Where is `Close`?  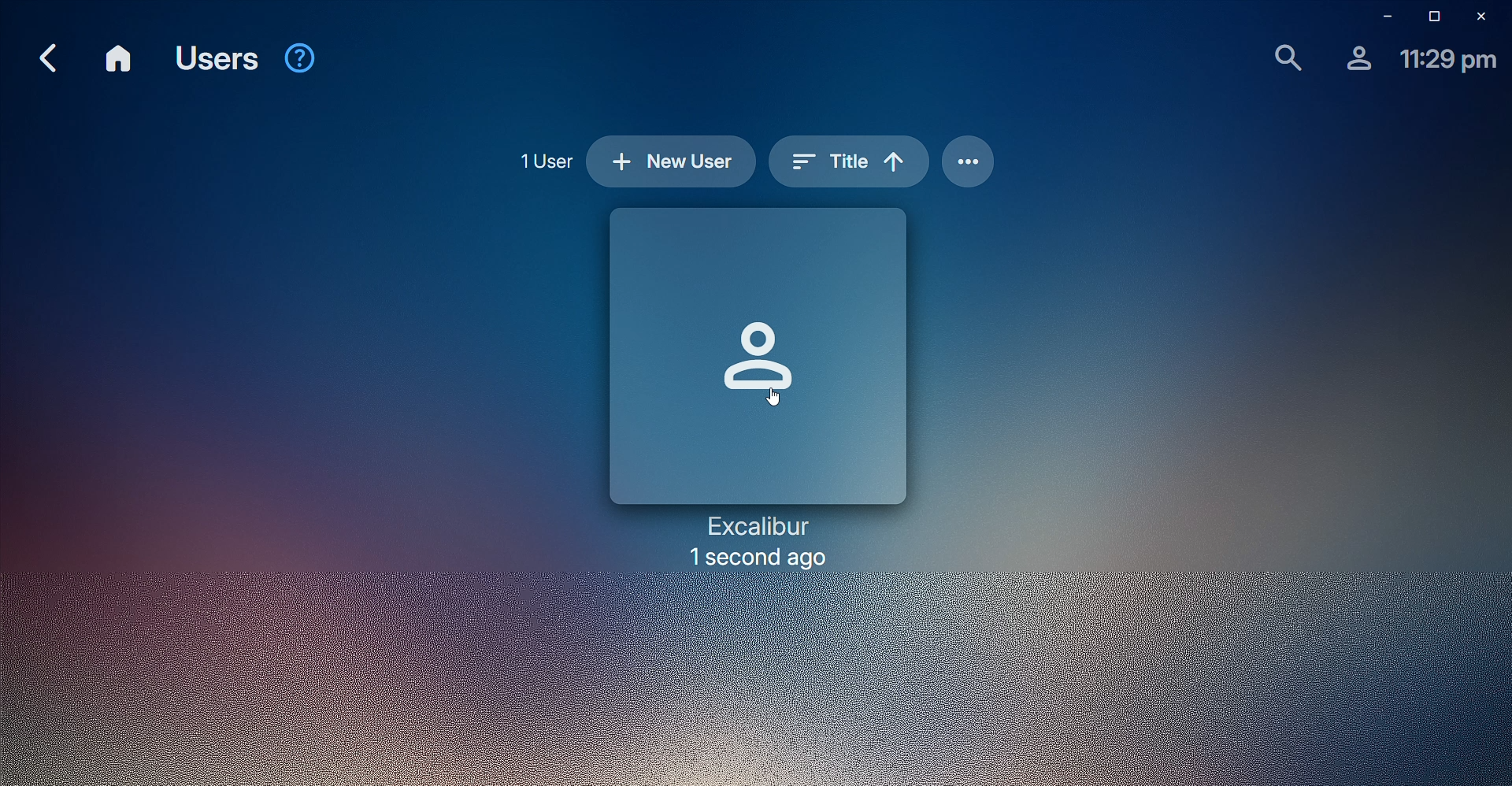 Close is located at coordinates (1485, 15).